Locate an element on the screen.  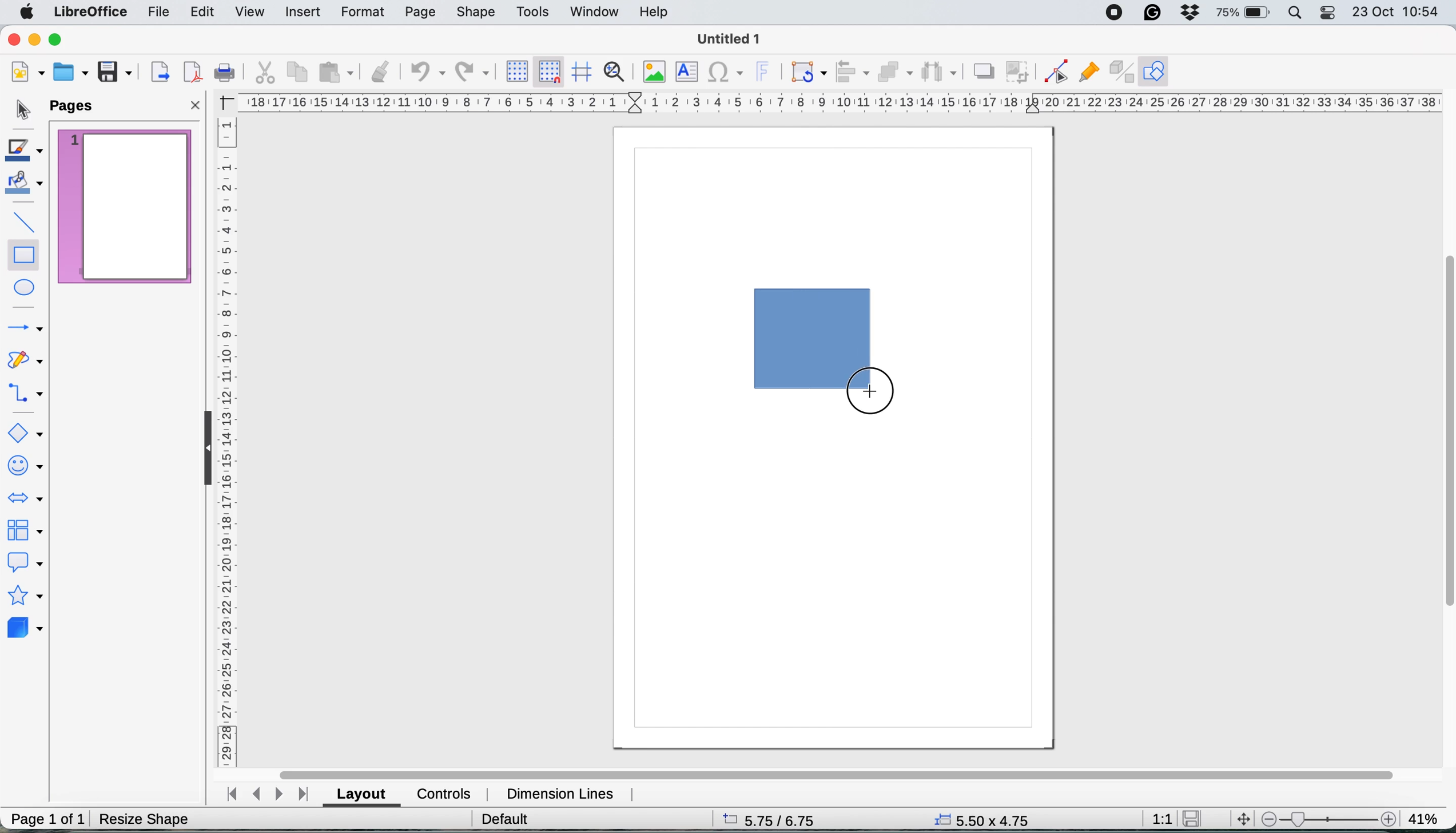
display grid is located at coordinates (517, 70).